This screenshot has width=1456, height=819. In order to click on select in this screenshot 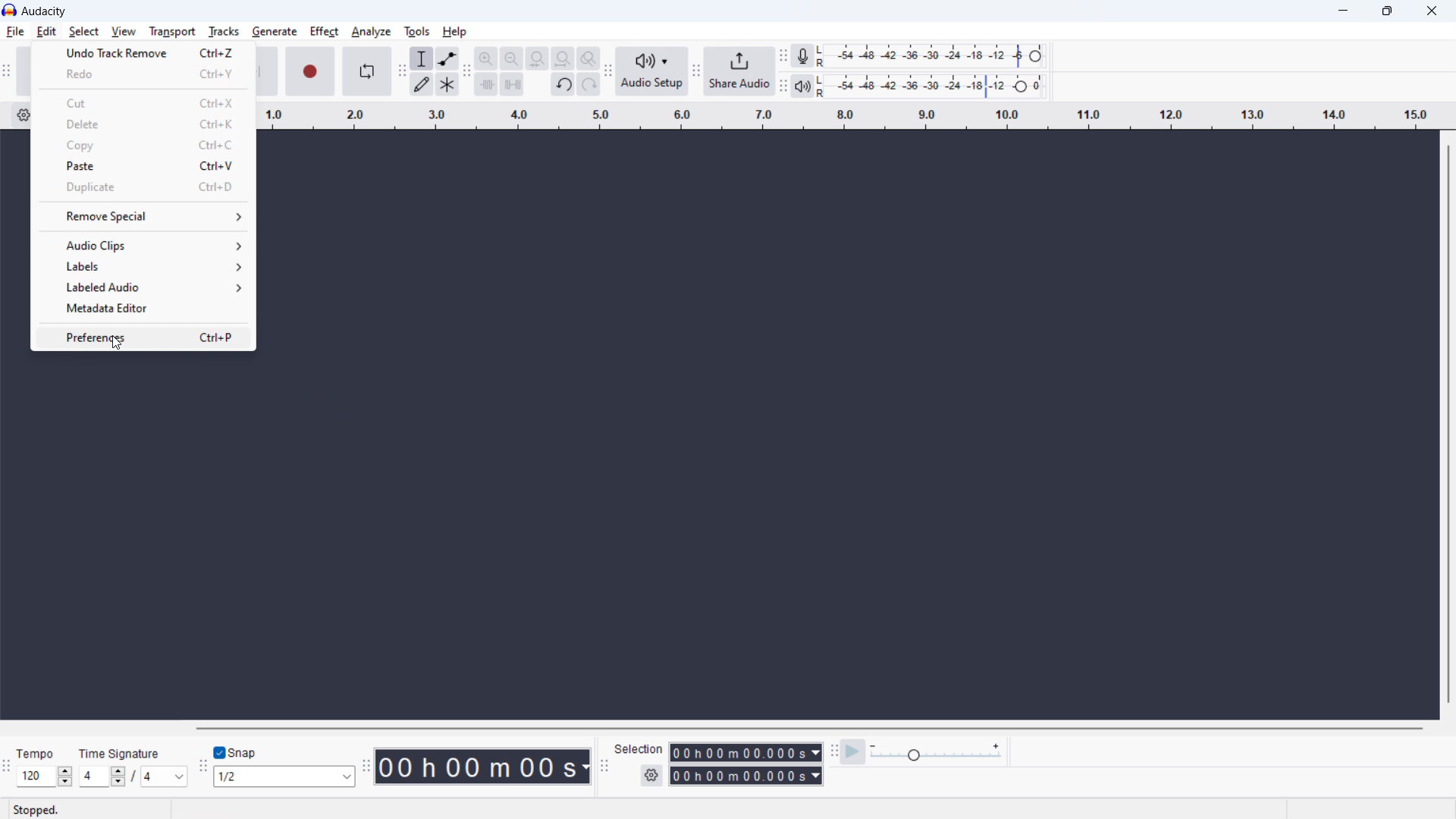, I will do `click(84, 32)`.